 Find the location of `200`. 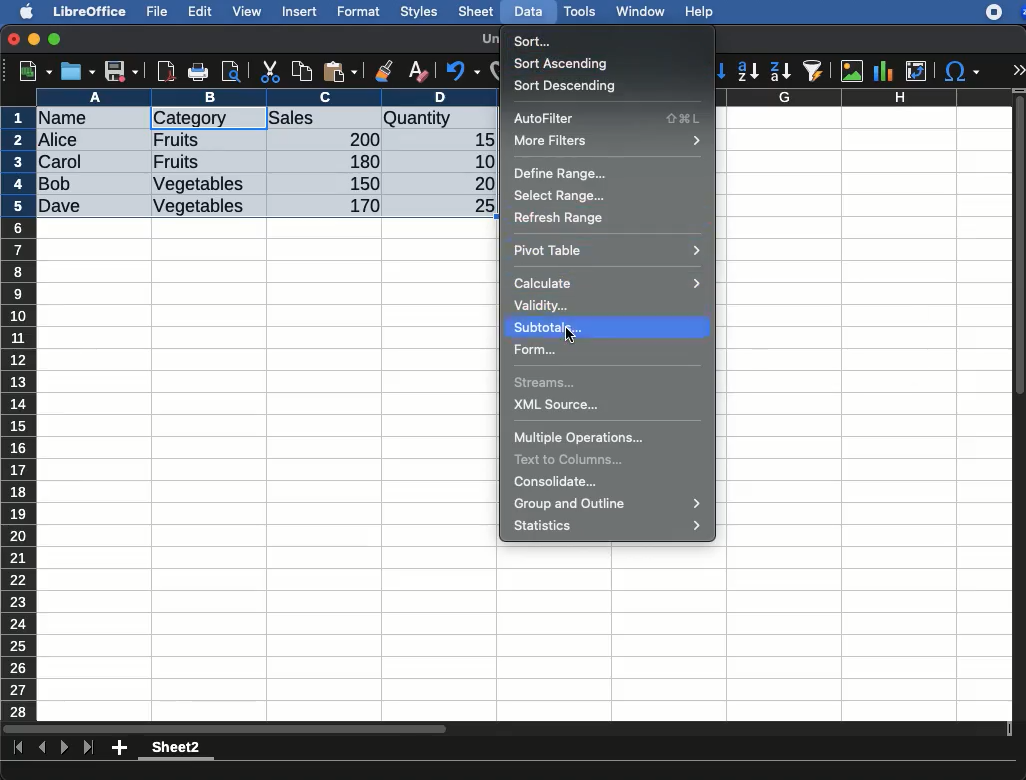

200 is located at coordinates (359, 139).